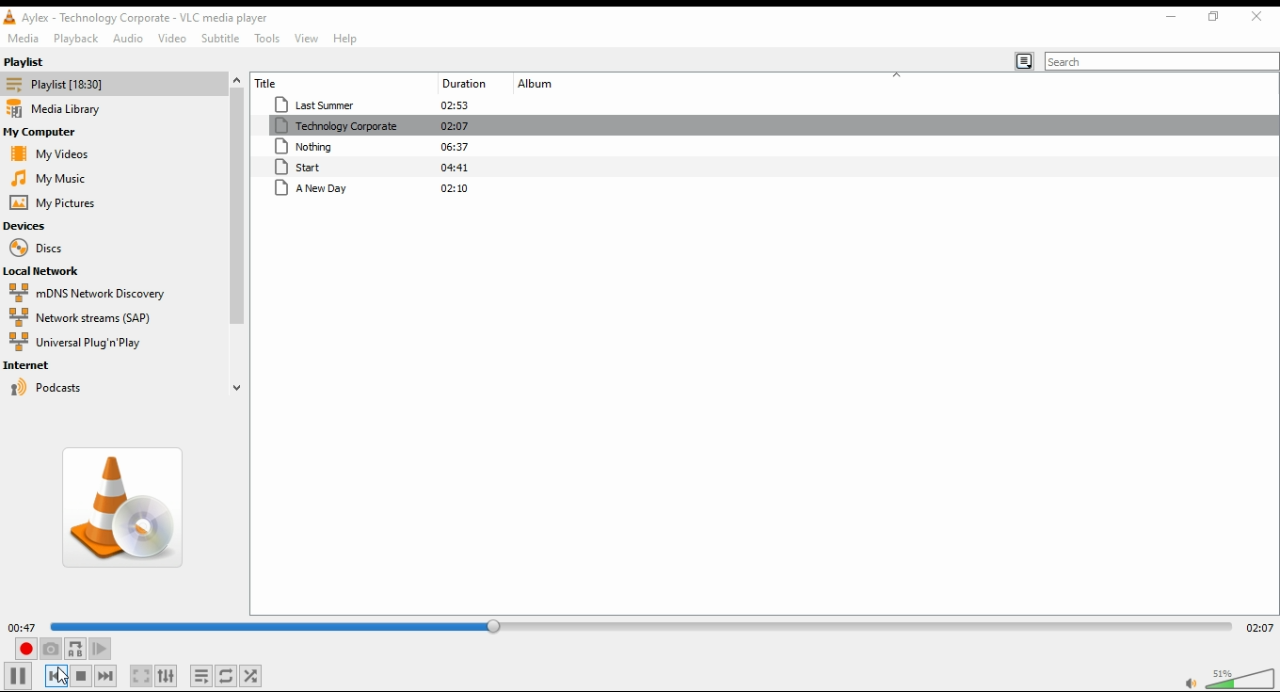  Describe the element at coordinates (9, 17) in the screenshot. I see `vlc icon` at that location.